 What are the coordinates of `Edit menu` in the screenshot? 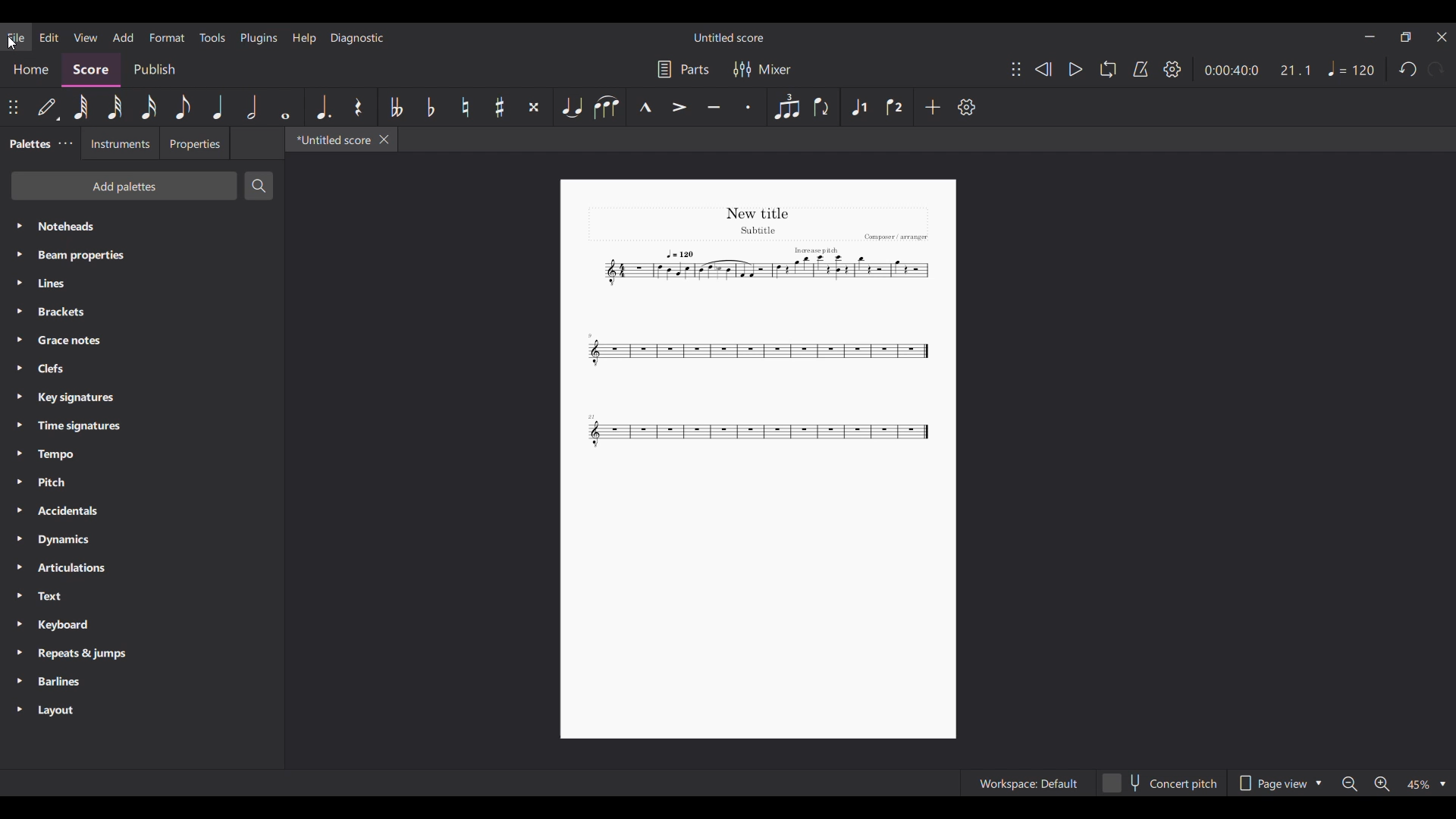 It's located at (49, 37).